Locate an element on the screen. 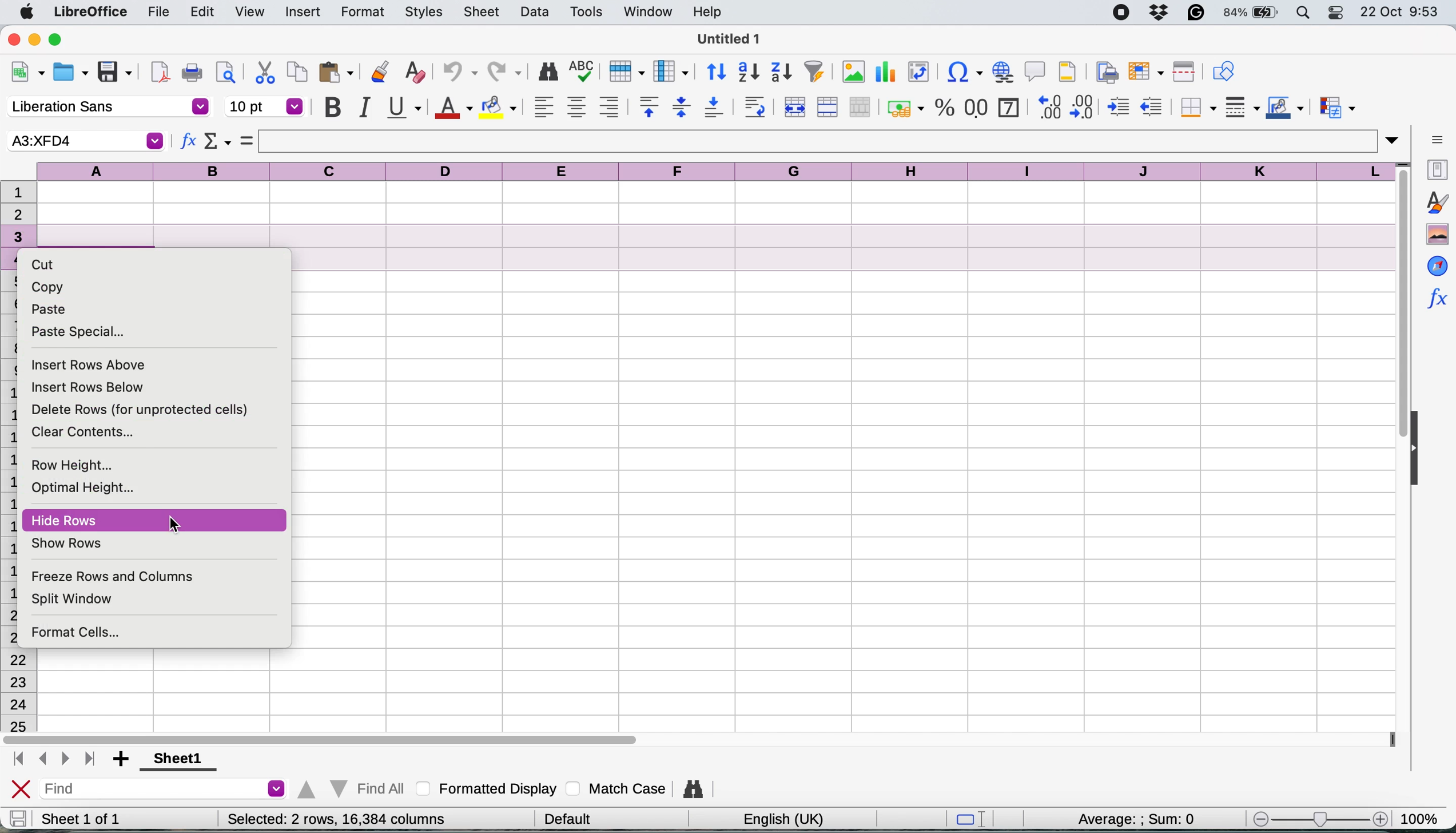 This screenshot has height=833, width=1456. merge is located at coordinates (826, 108).